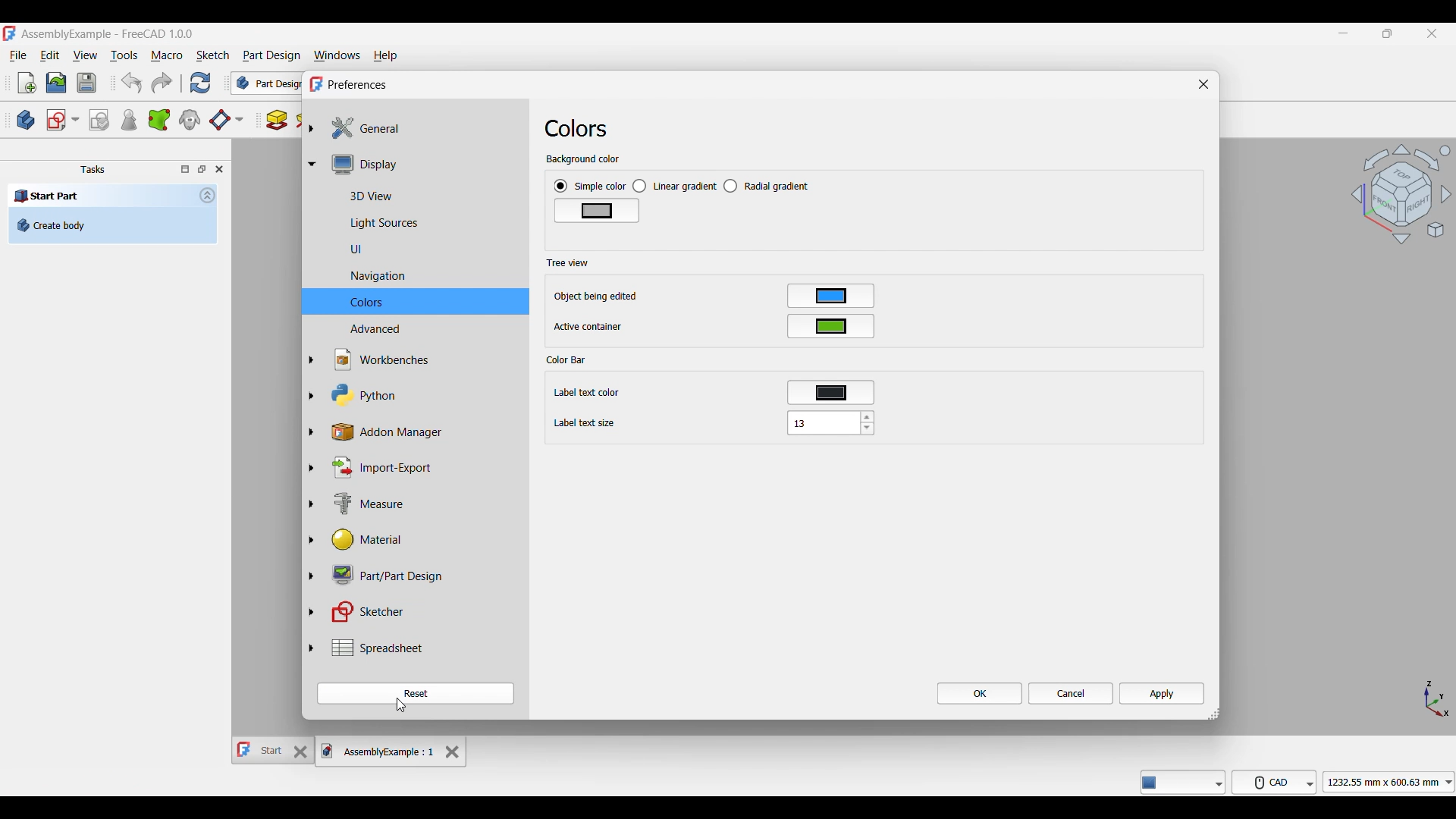 The image size is (1456, 819). I want to click on Redo, so click(162, 83).